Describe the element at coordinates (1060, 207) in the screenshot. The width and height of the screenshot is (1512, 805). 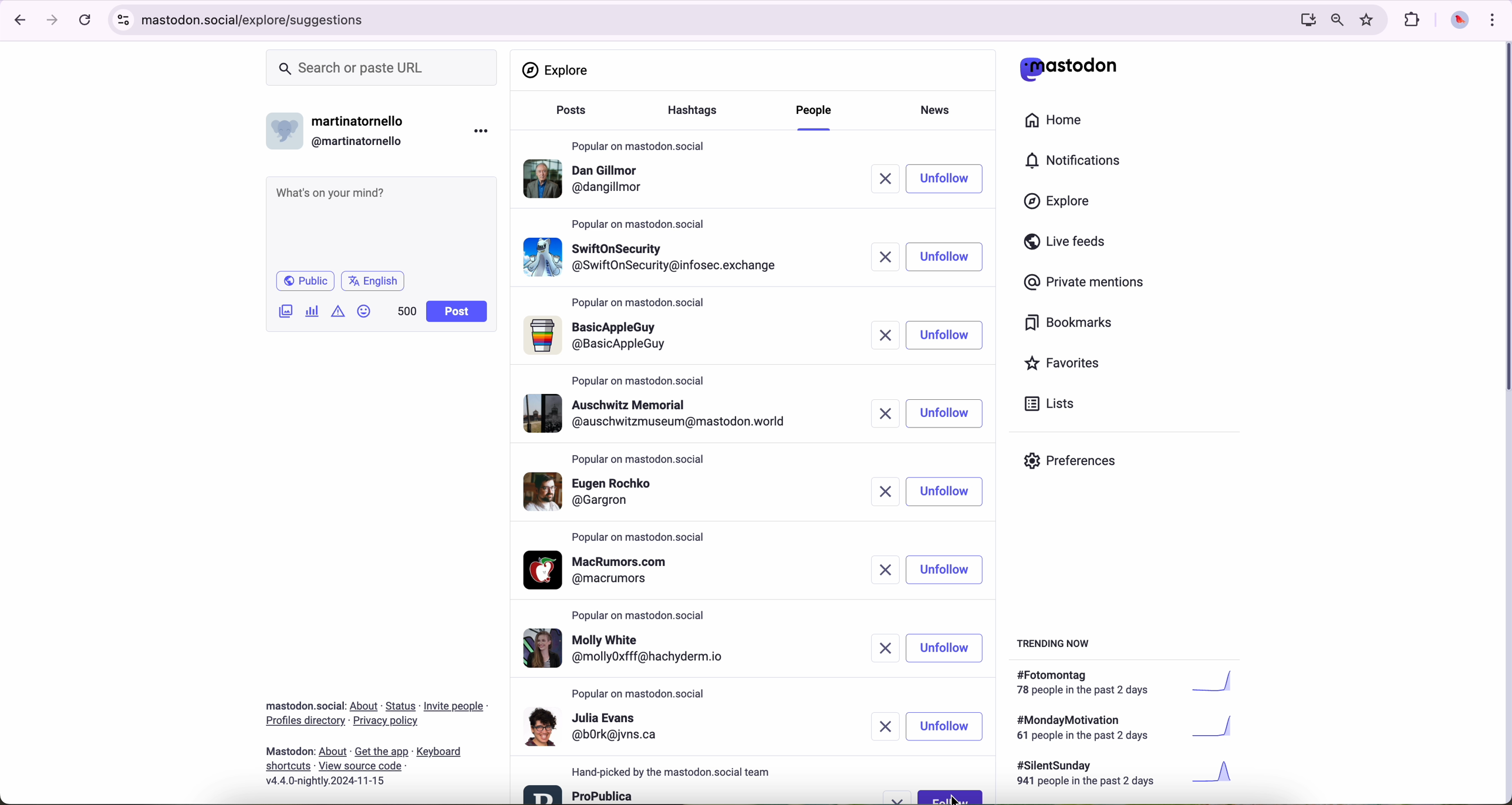
I see `click on explore button` at that location.